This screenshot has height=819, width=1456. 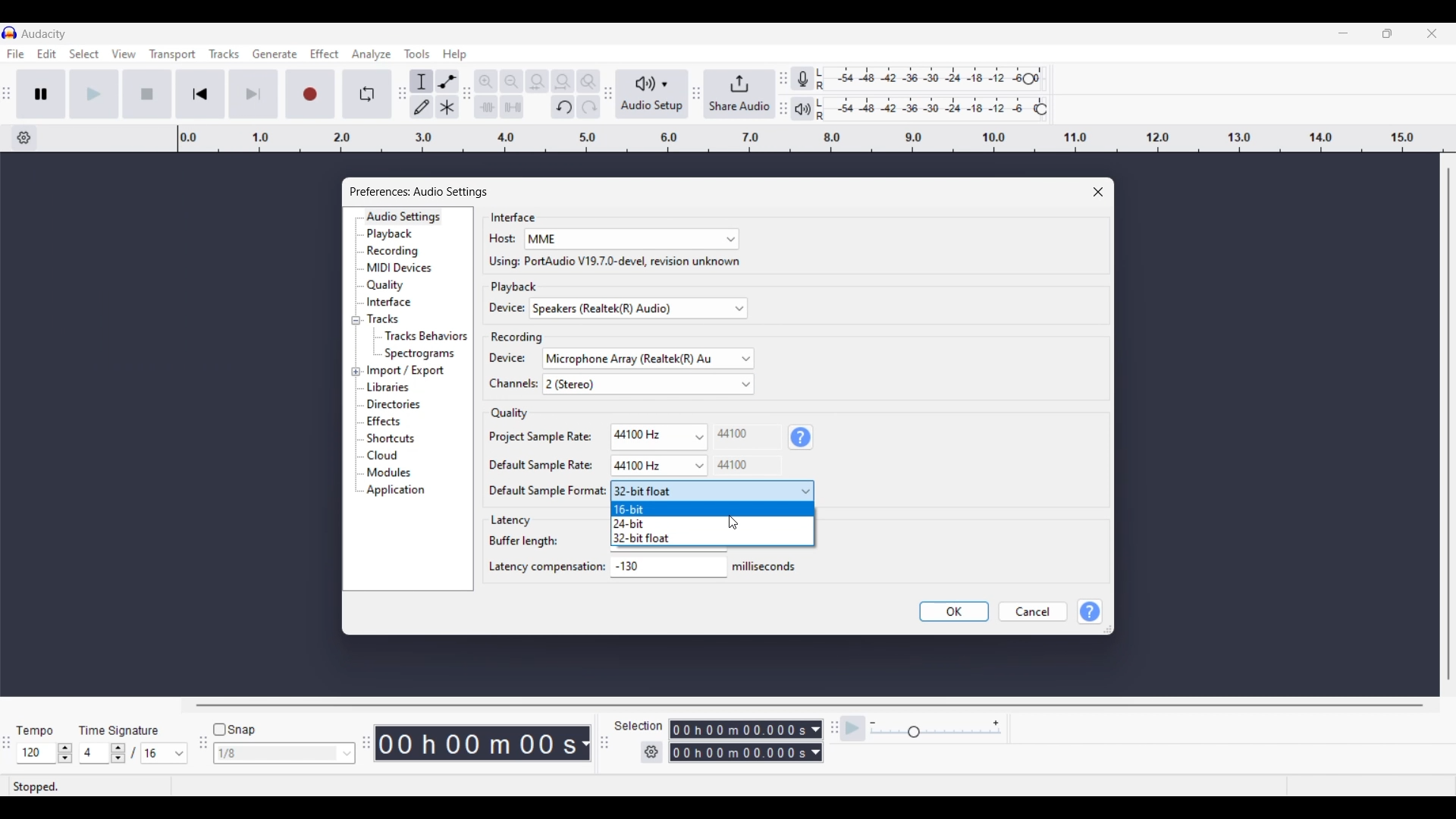 What do you see at coordinates (44, 33) in the screenshot?
I see `Software name` at bounding box center [44, 33].